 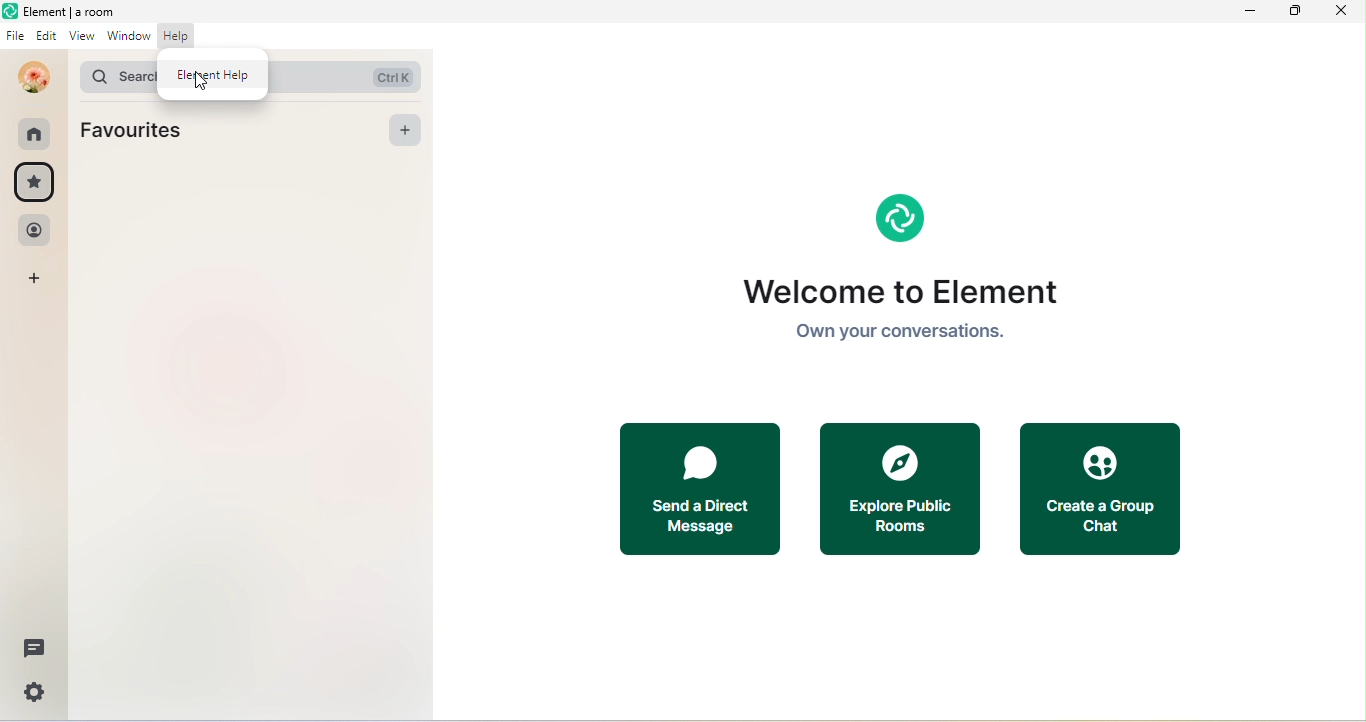 I want to click on search bar, so click(x=111, y=76).